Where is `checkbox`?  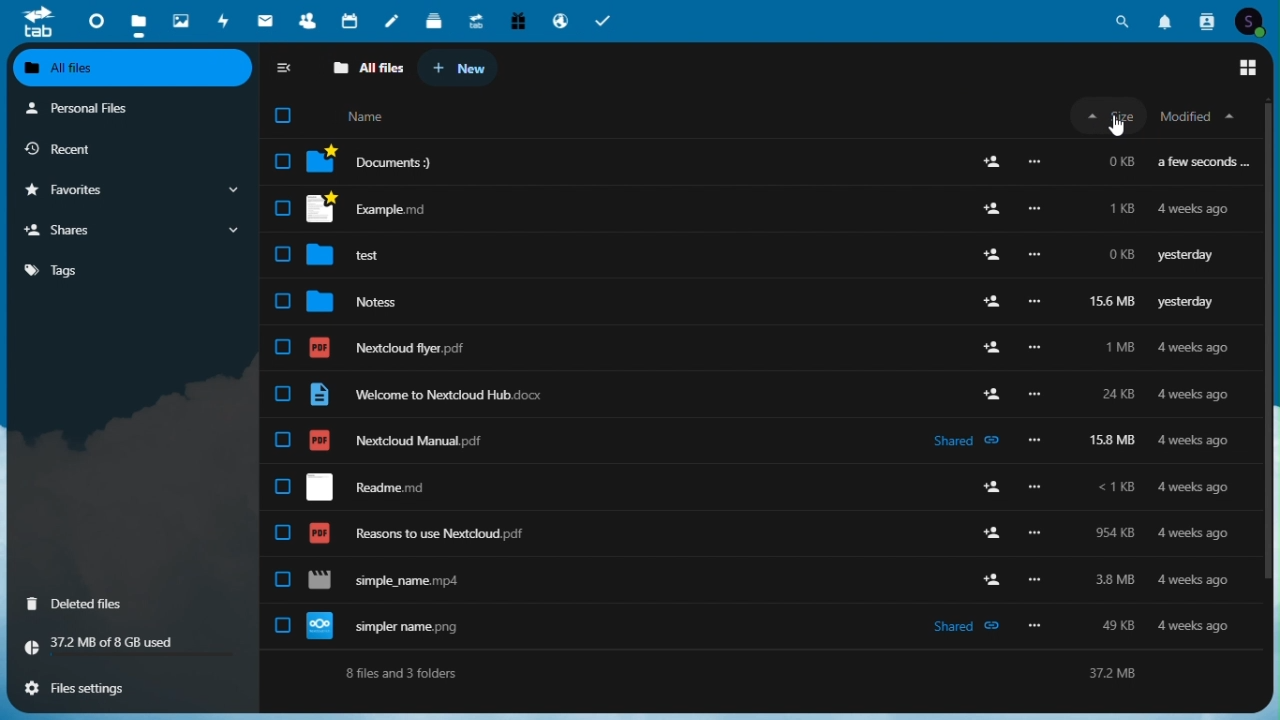 checkbox is located at coordinates (286, 116).